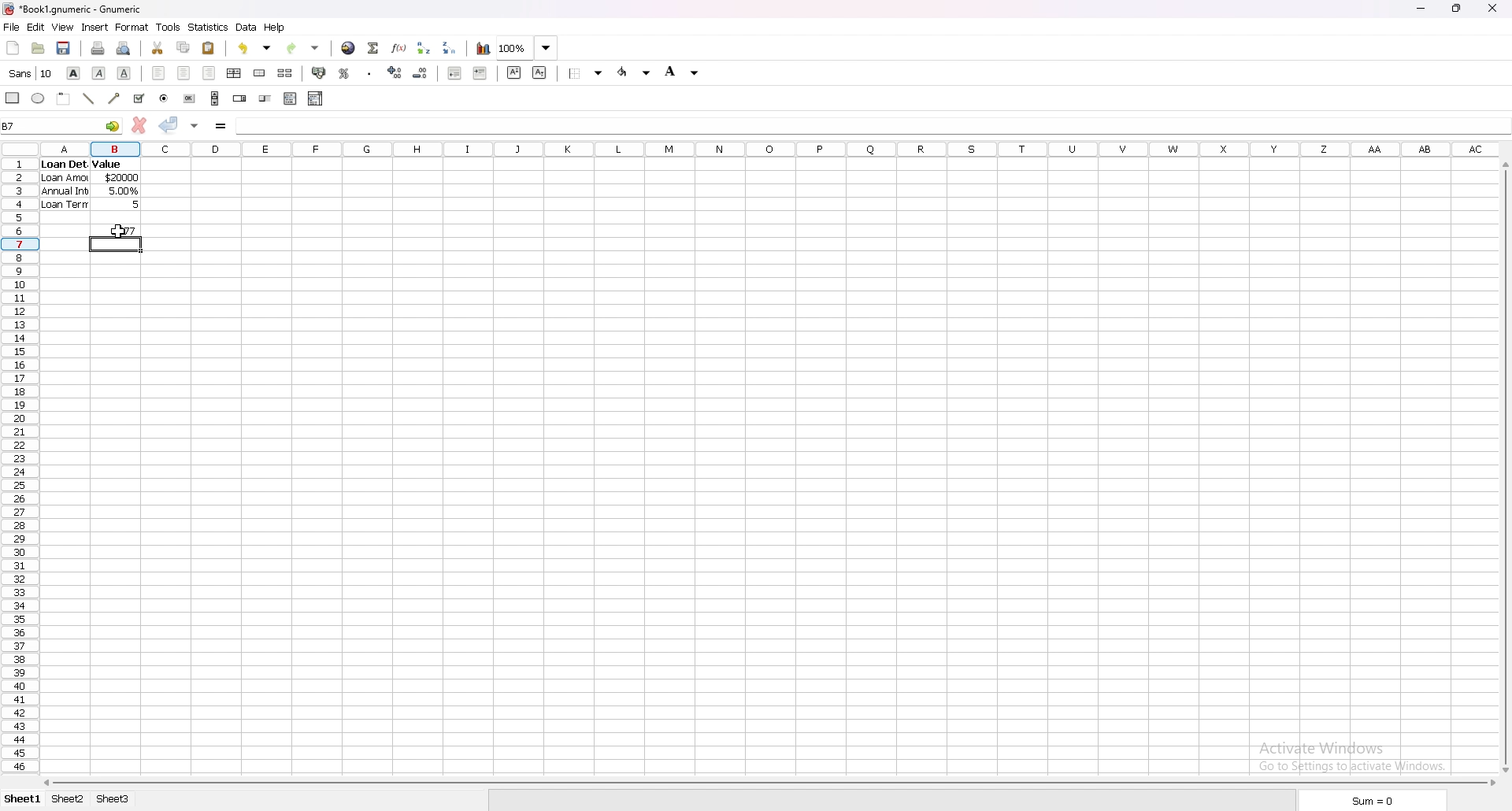  I want to click on split merged cells, so click(285, 72).